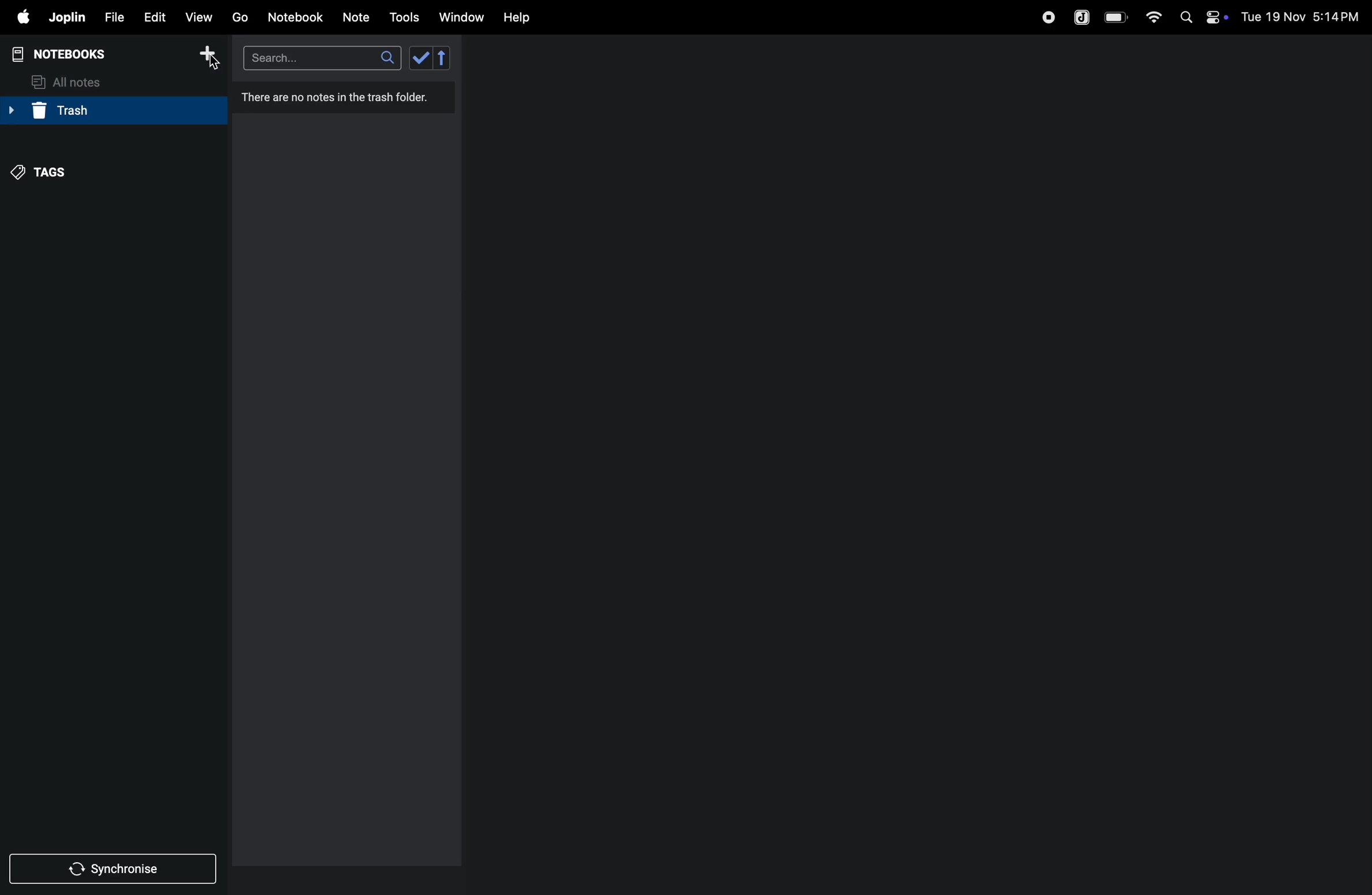 The width and height of the screenshot is (1372, 895). Describe the element at coordinates (240, 16) in the screenshot. I see `go` at that location.